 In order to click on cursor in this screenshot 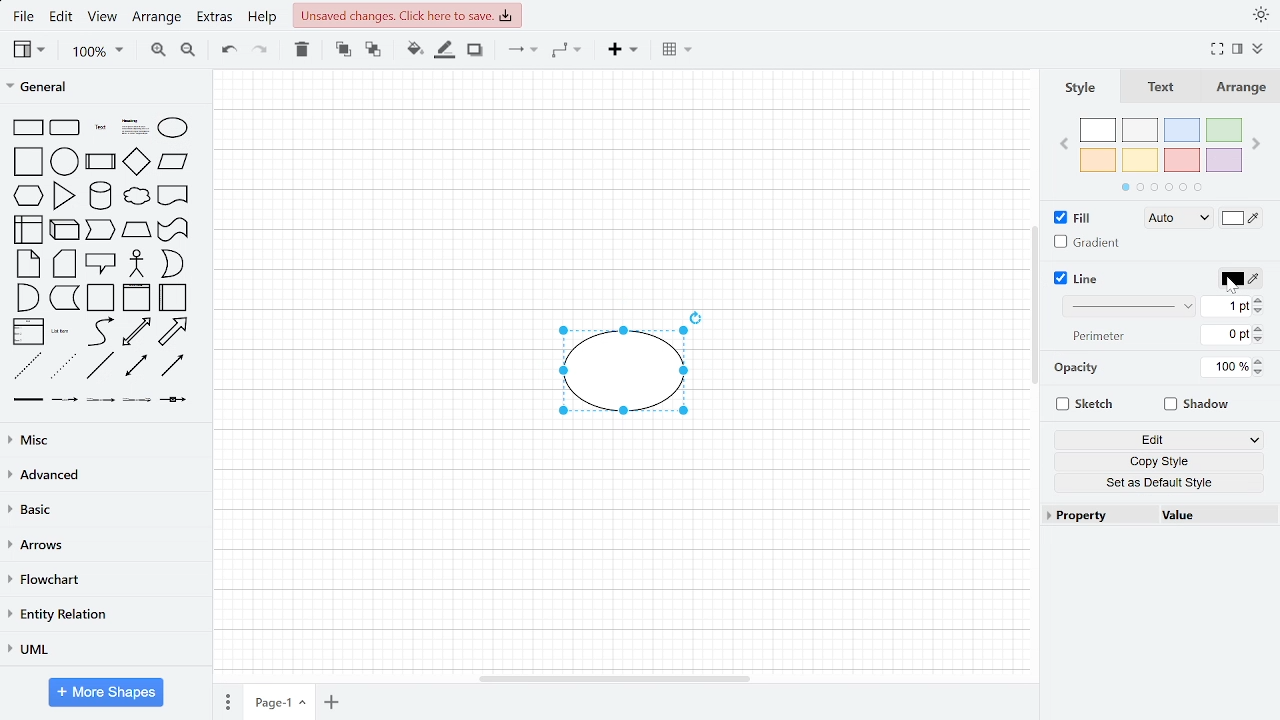, I will do `click(1232, 285)`.